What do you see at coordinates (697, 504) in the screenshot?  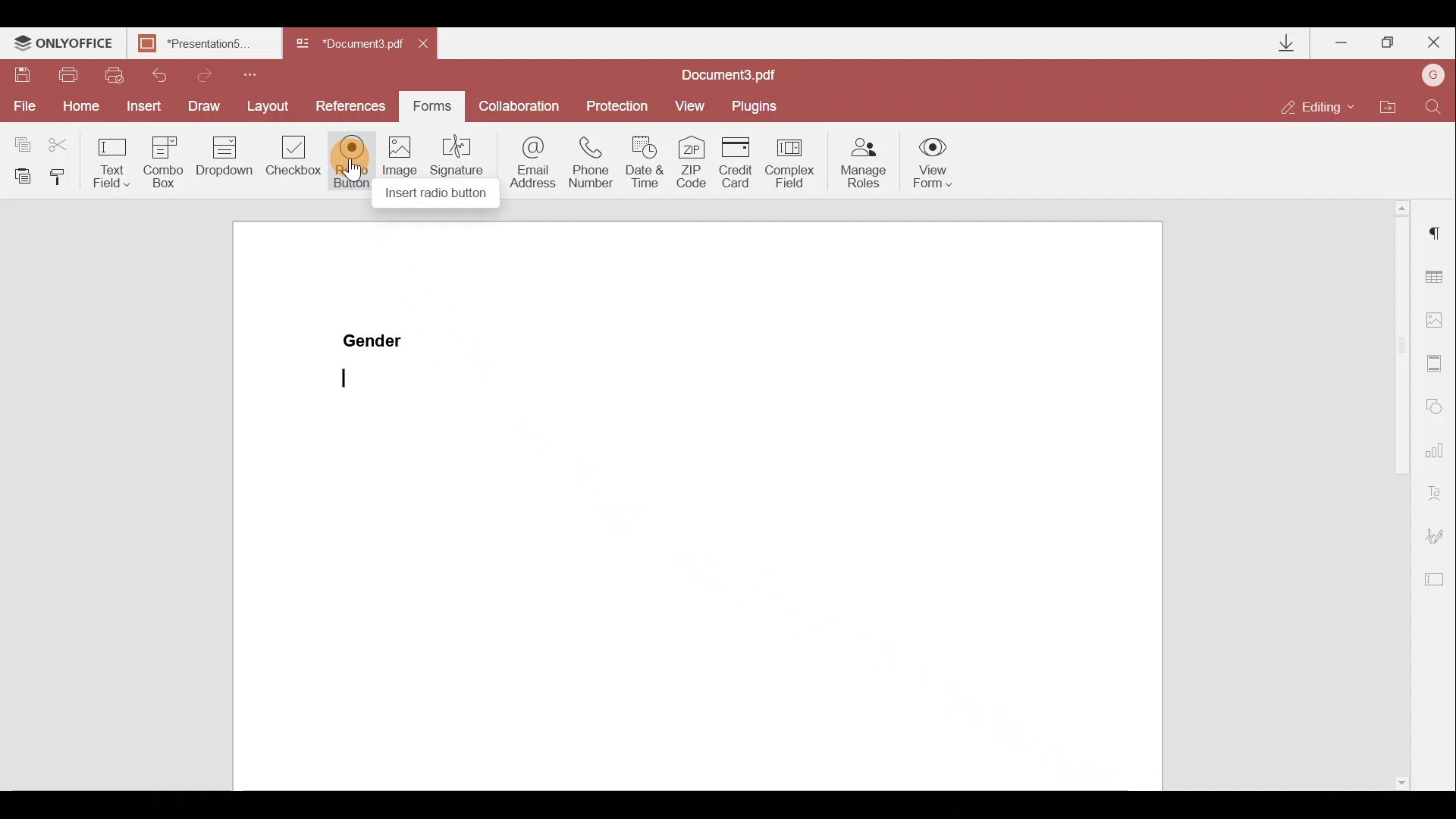 I see `Working area` at bounding box center [697, 504].